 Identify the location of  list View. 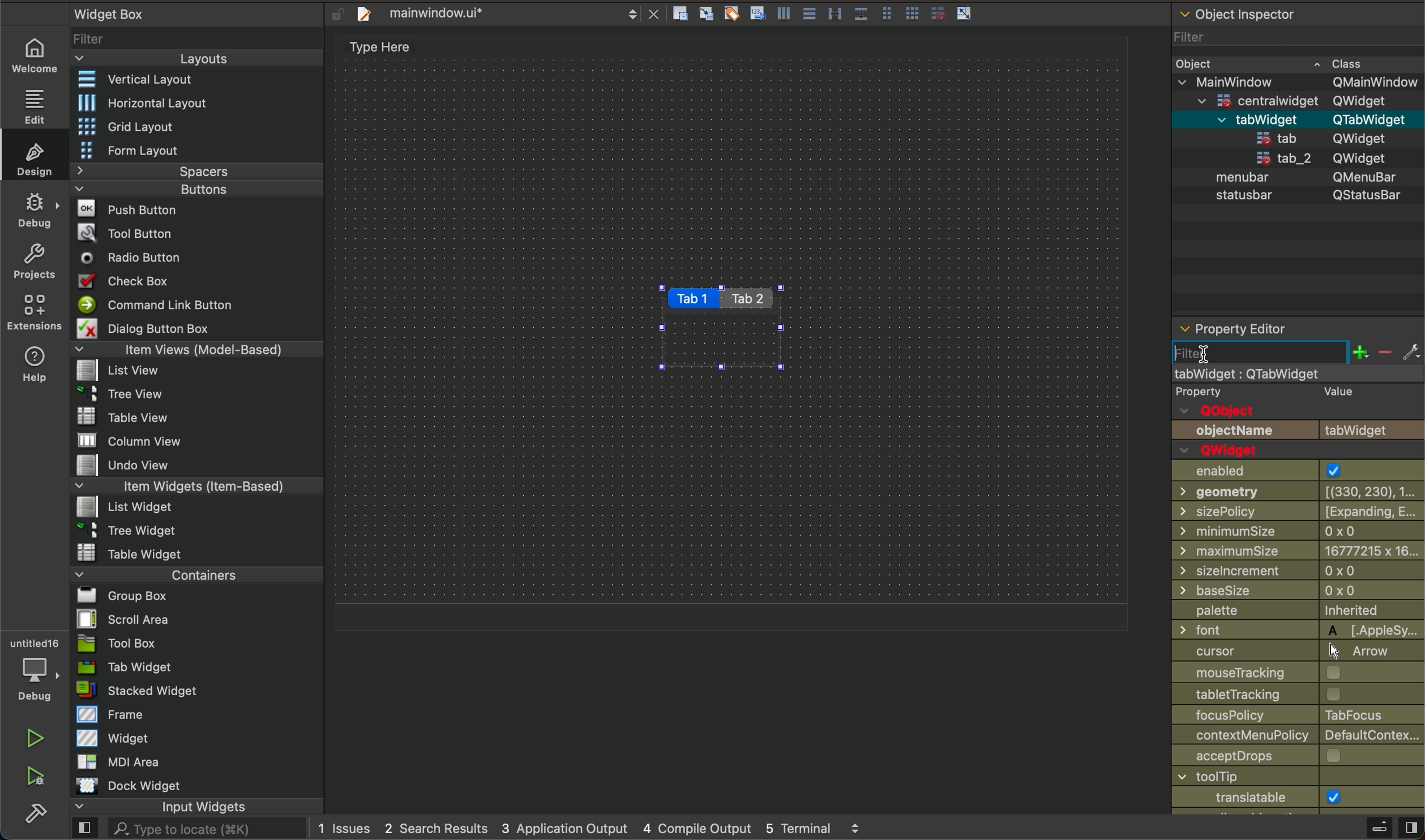
(119, 371).